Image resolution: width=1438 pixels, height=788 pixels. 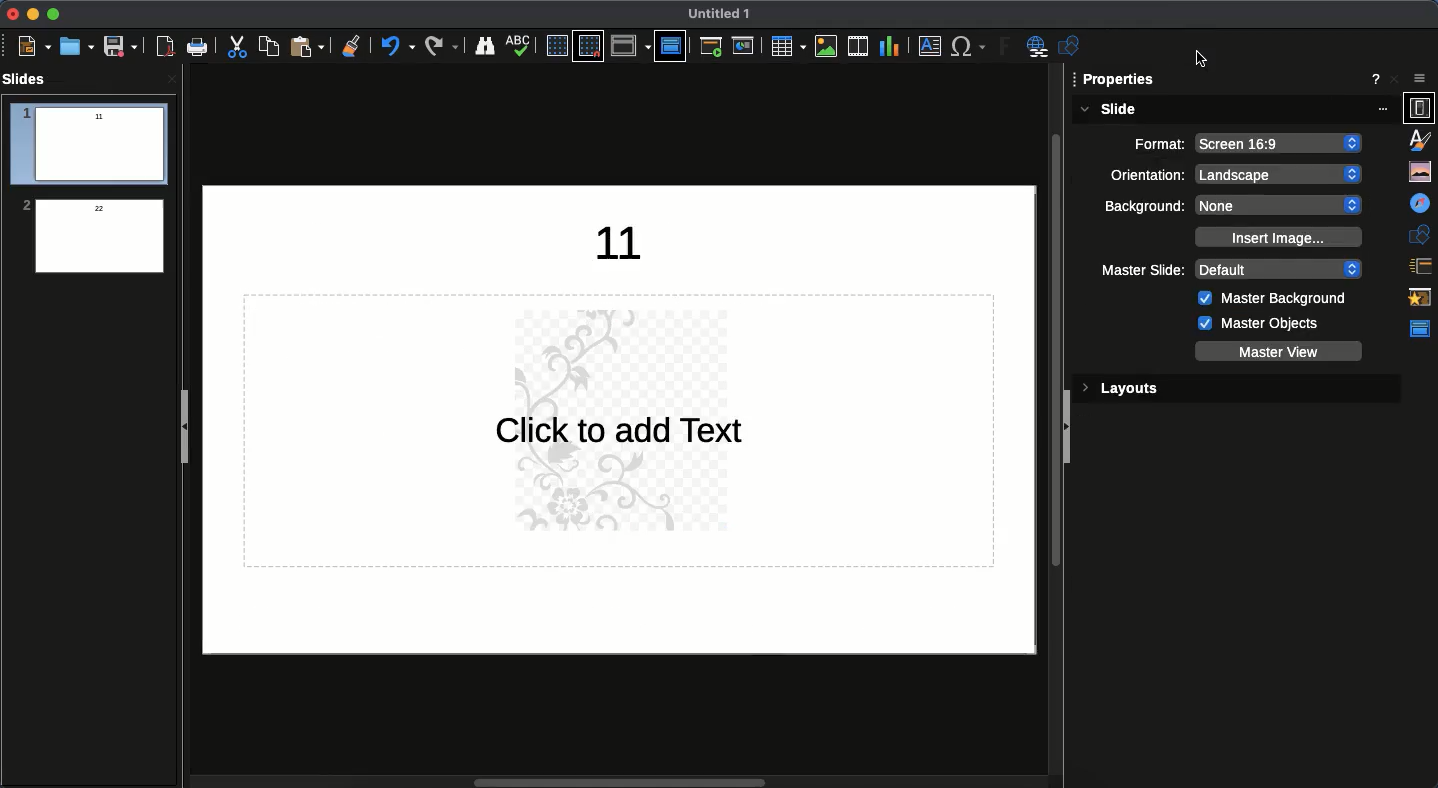 What do you see at coordinates (555, 45) in the screenshot?
I see `Display grid` at bounding box center [555, 45].